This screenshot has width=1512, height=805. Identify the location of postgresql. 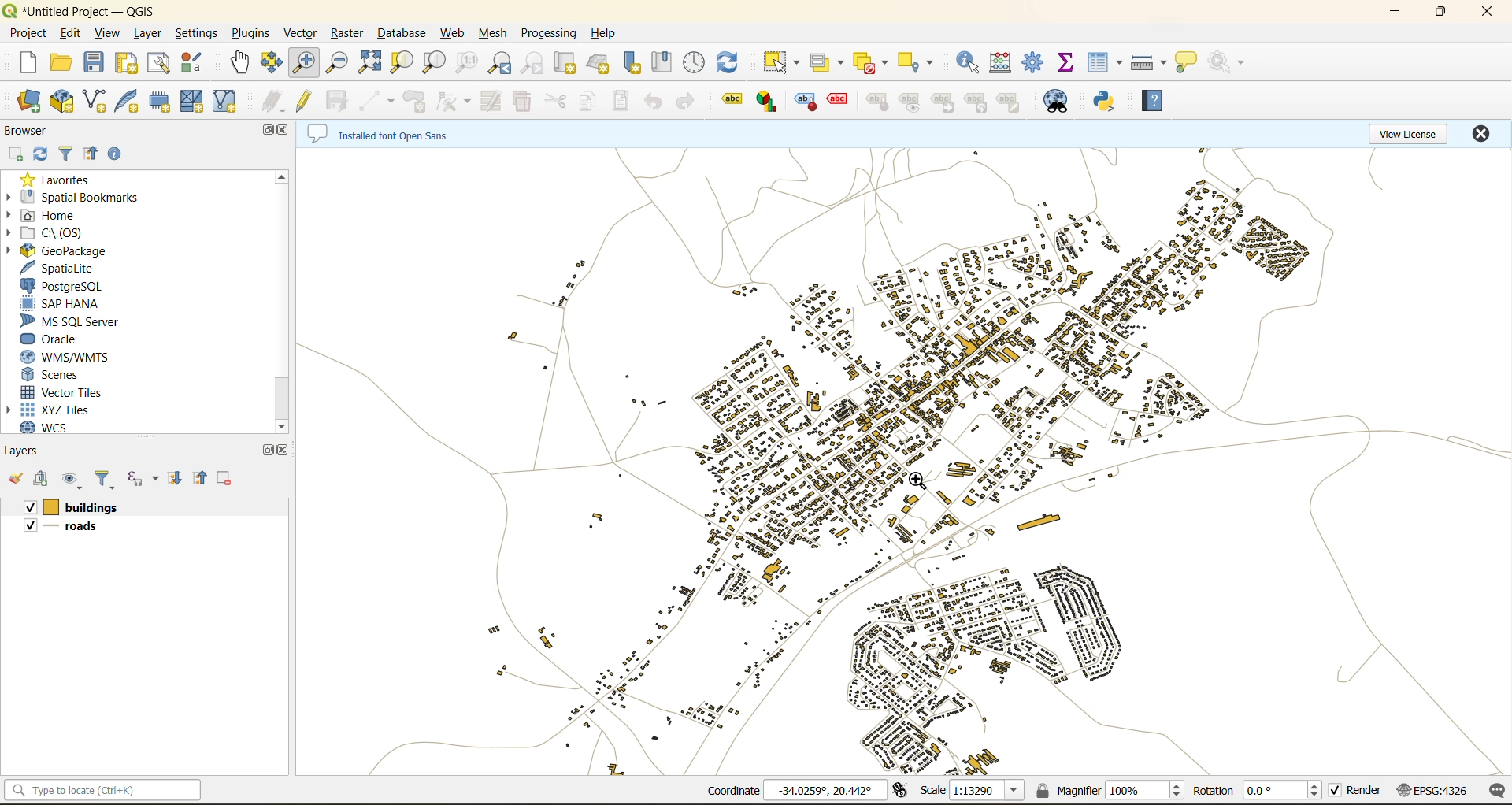
(66, 285).